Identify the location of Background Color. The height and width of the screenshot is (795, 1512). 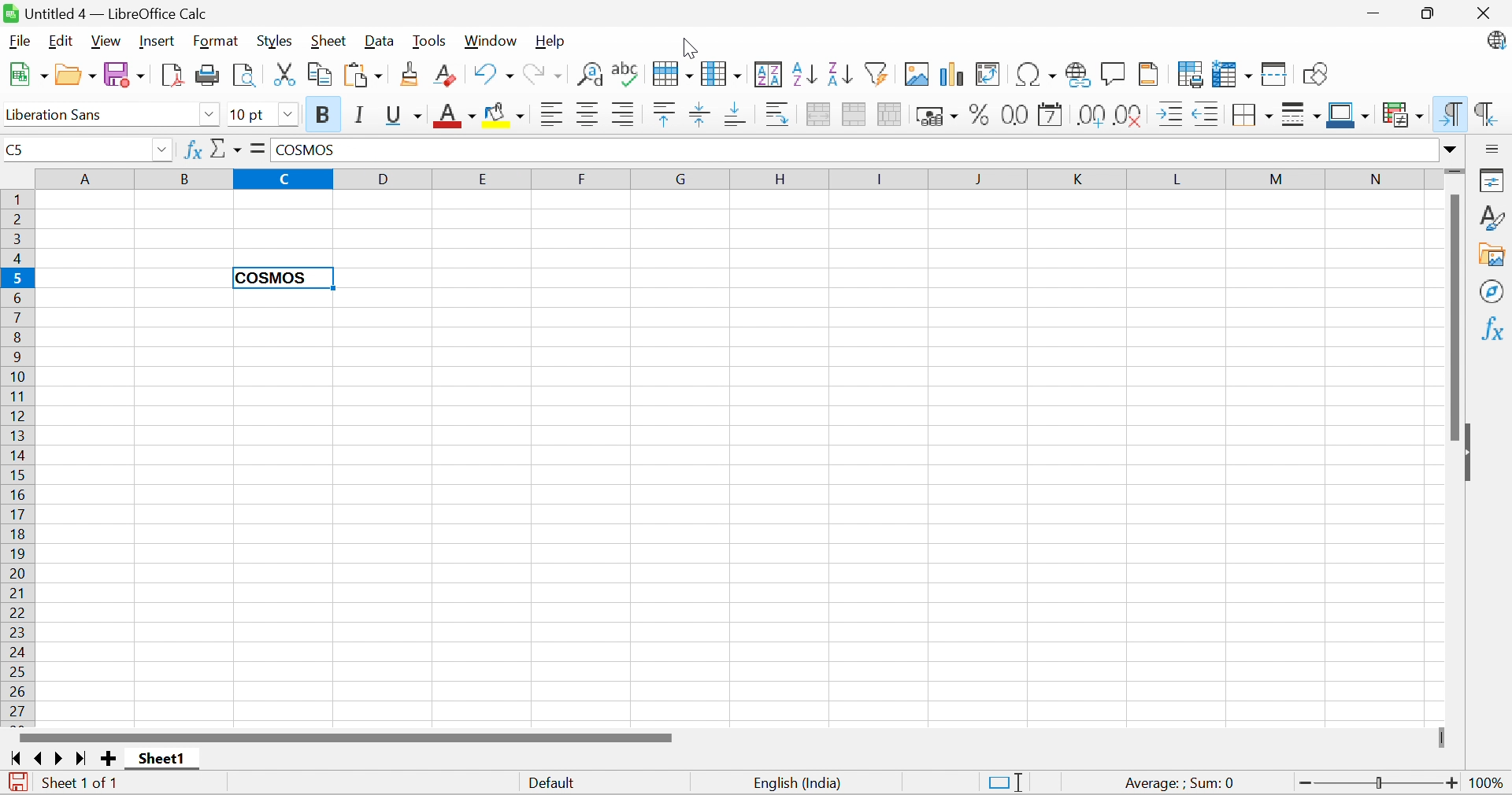
(504, 115).